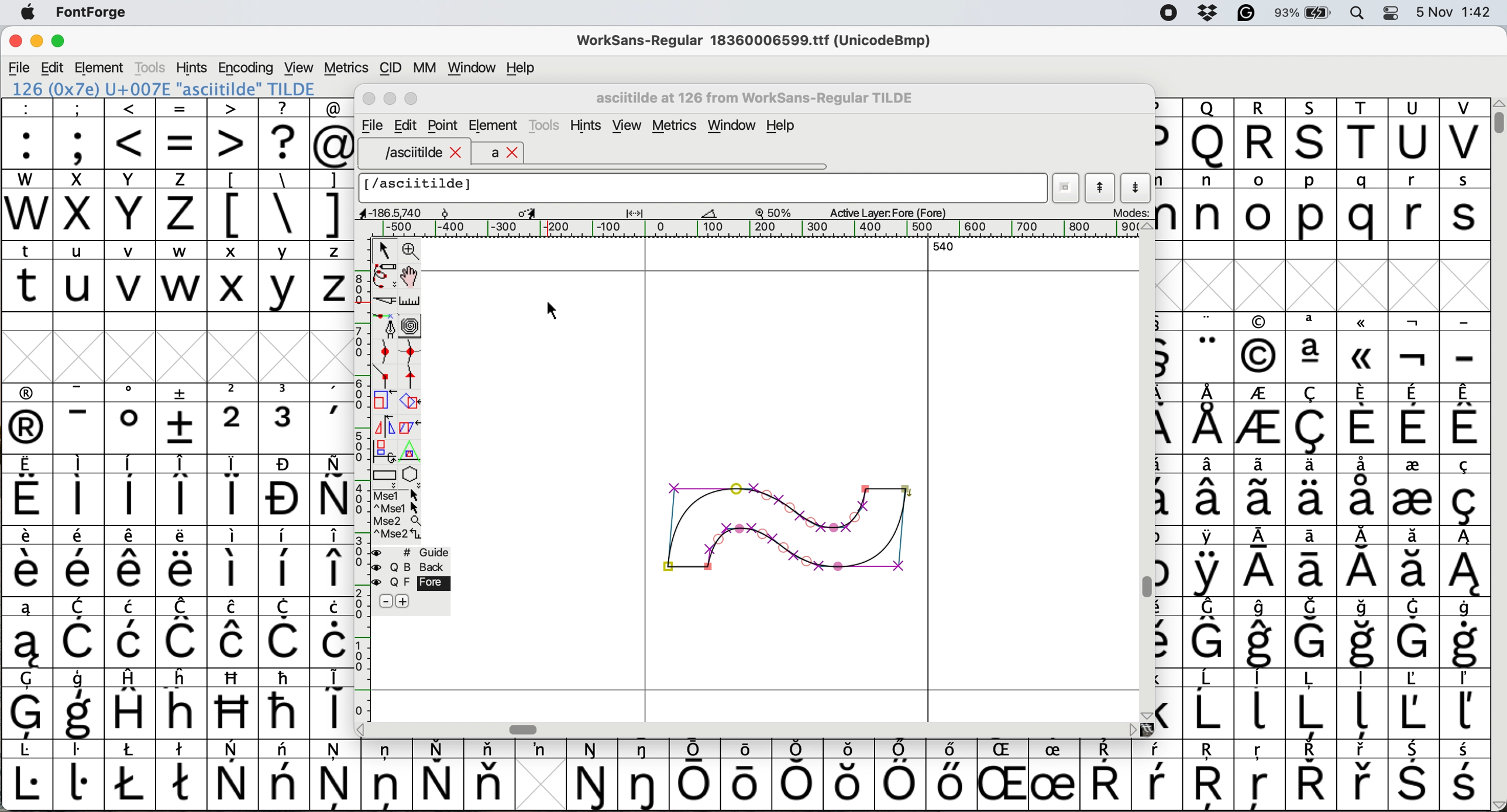  Describe the element at coordinates (285, 632) in the screenshot. I see `symbol` at that location.